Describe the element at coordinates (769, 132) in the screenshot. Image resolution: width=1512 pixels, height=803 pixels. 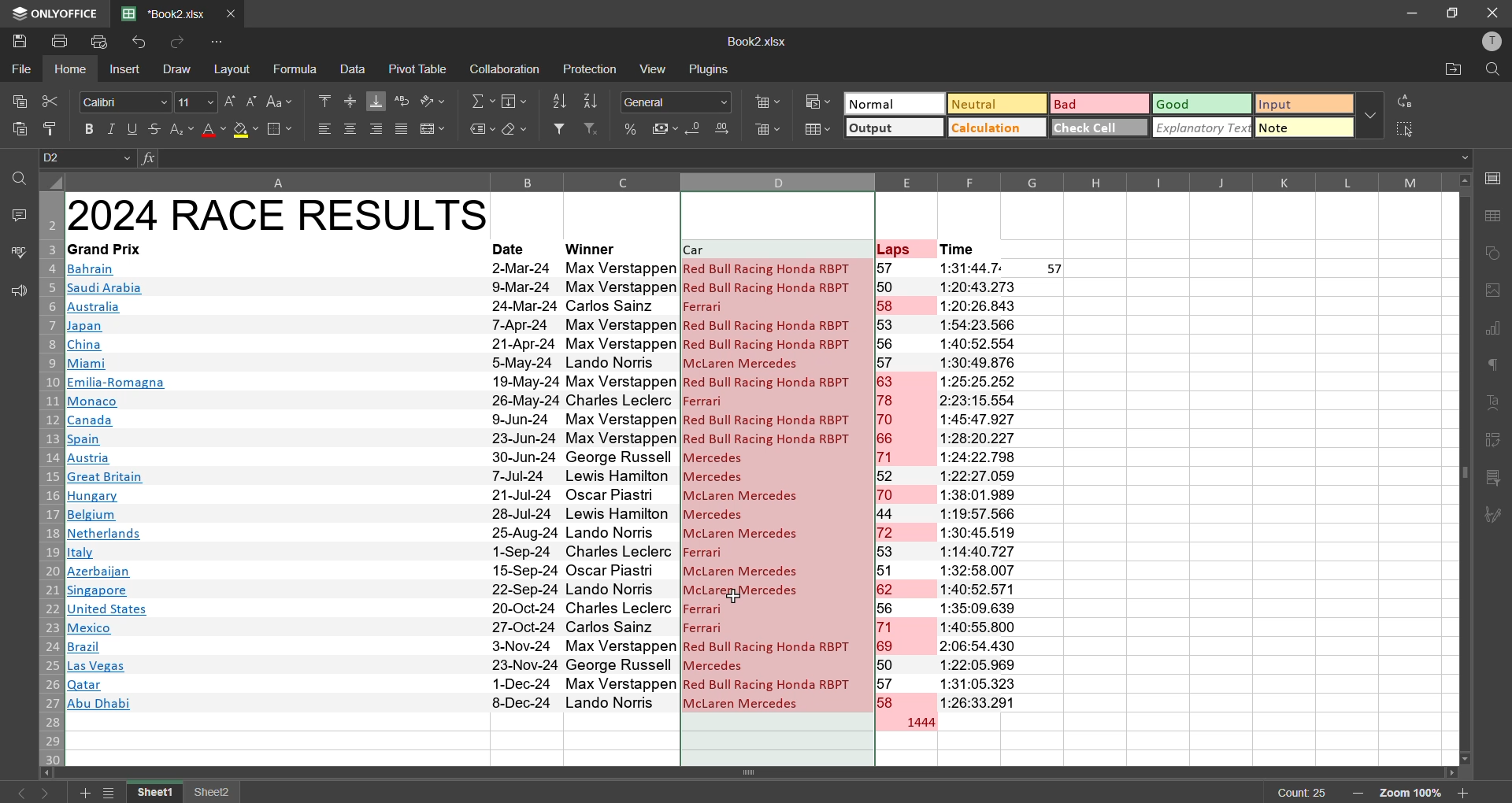
I see `remove cells` at that location.